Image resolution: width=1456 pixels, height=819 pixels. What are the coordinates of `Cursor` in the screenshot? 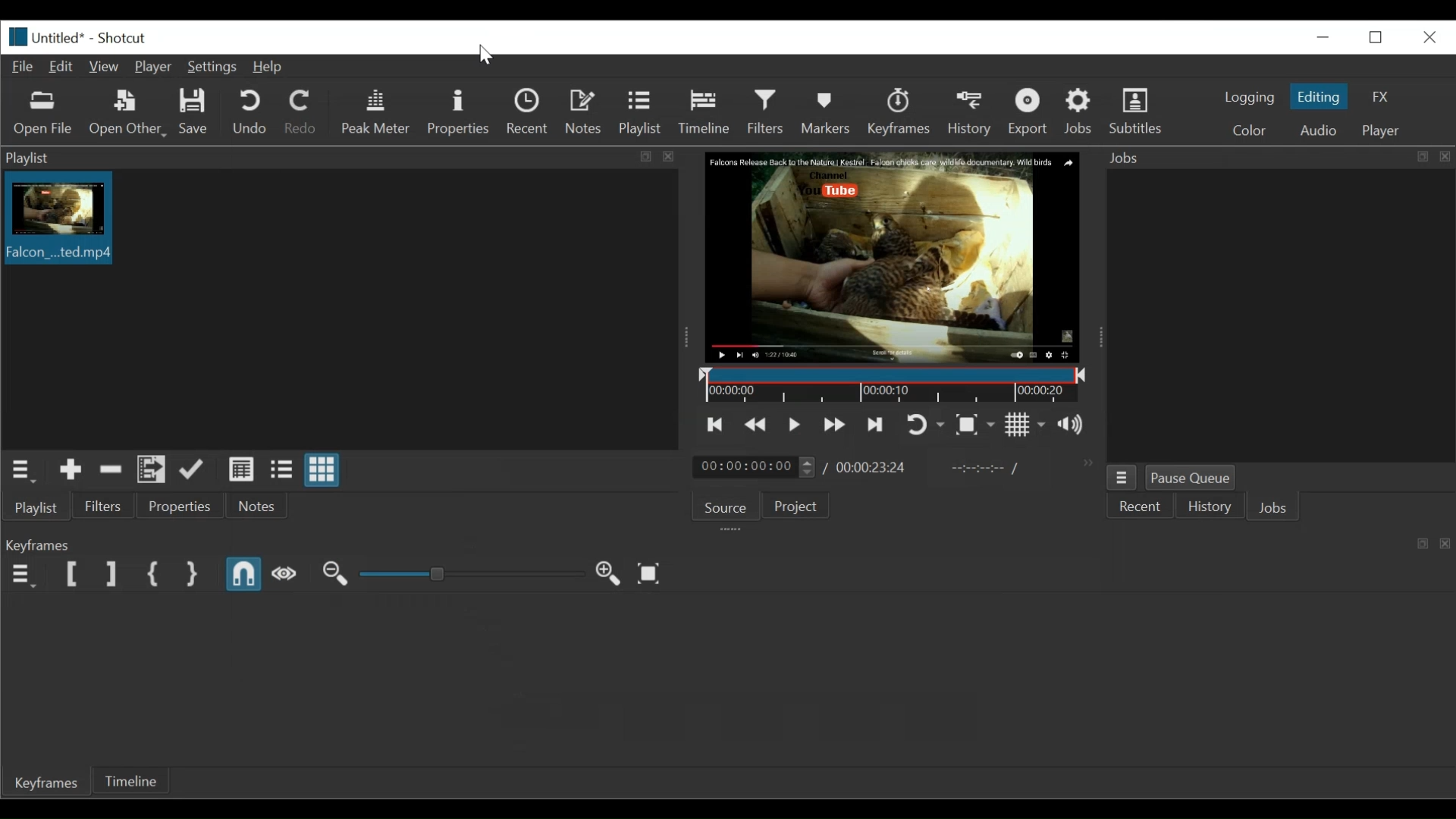 It's located at (490, 57).